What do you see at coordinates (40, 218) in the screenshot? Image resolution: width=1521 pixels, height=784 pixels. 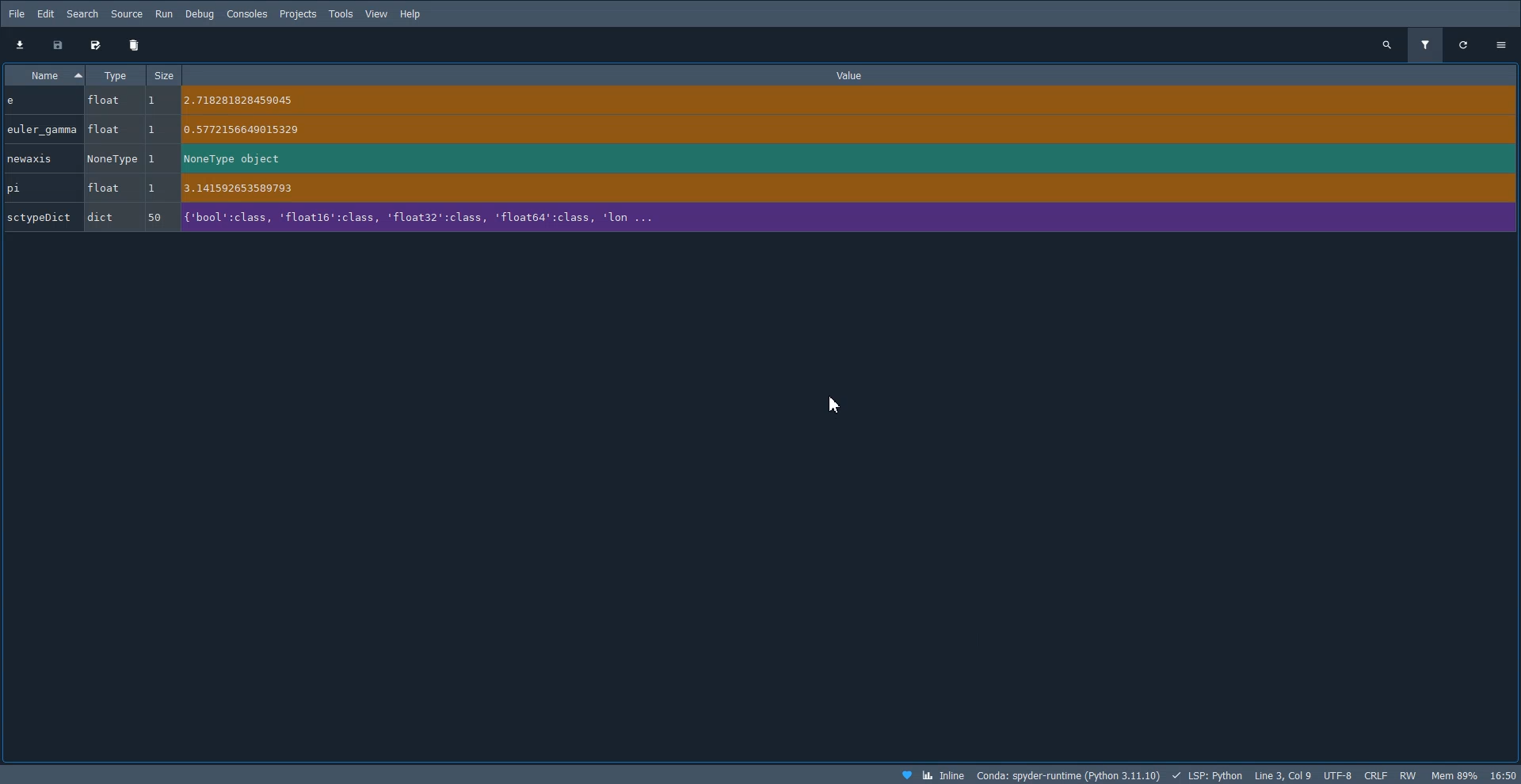 I see `‘sctypeDict` at bounding box center [40, 218].